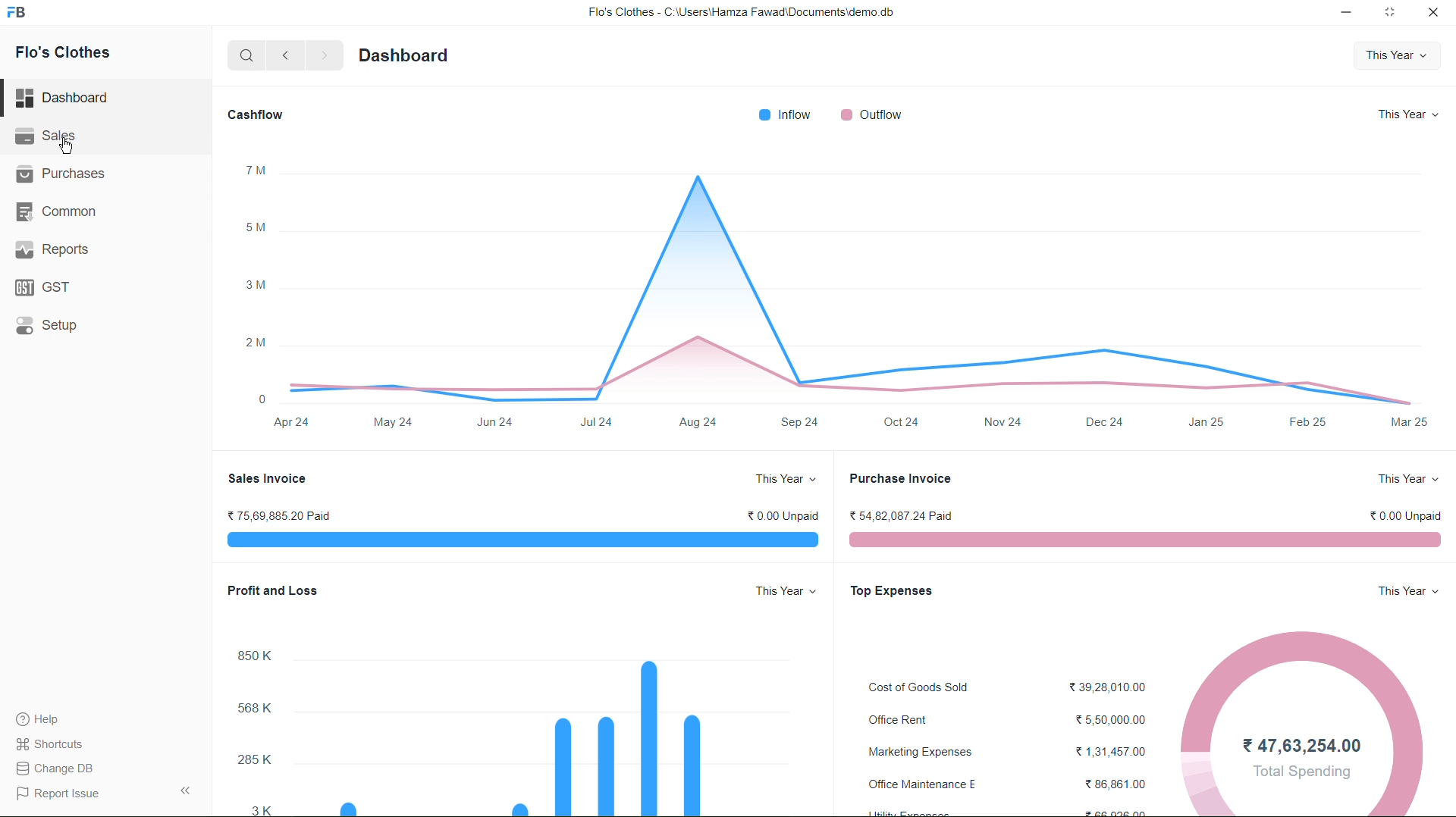  Describe the element at coordinates (1306, 420) in the screenshot. I see `Feb 25` at that location.